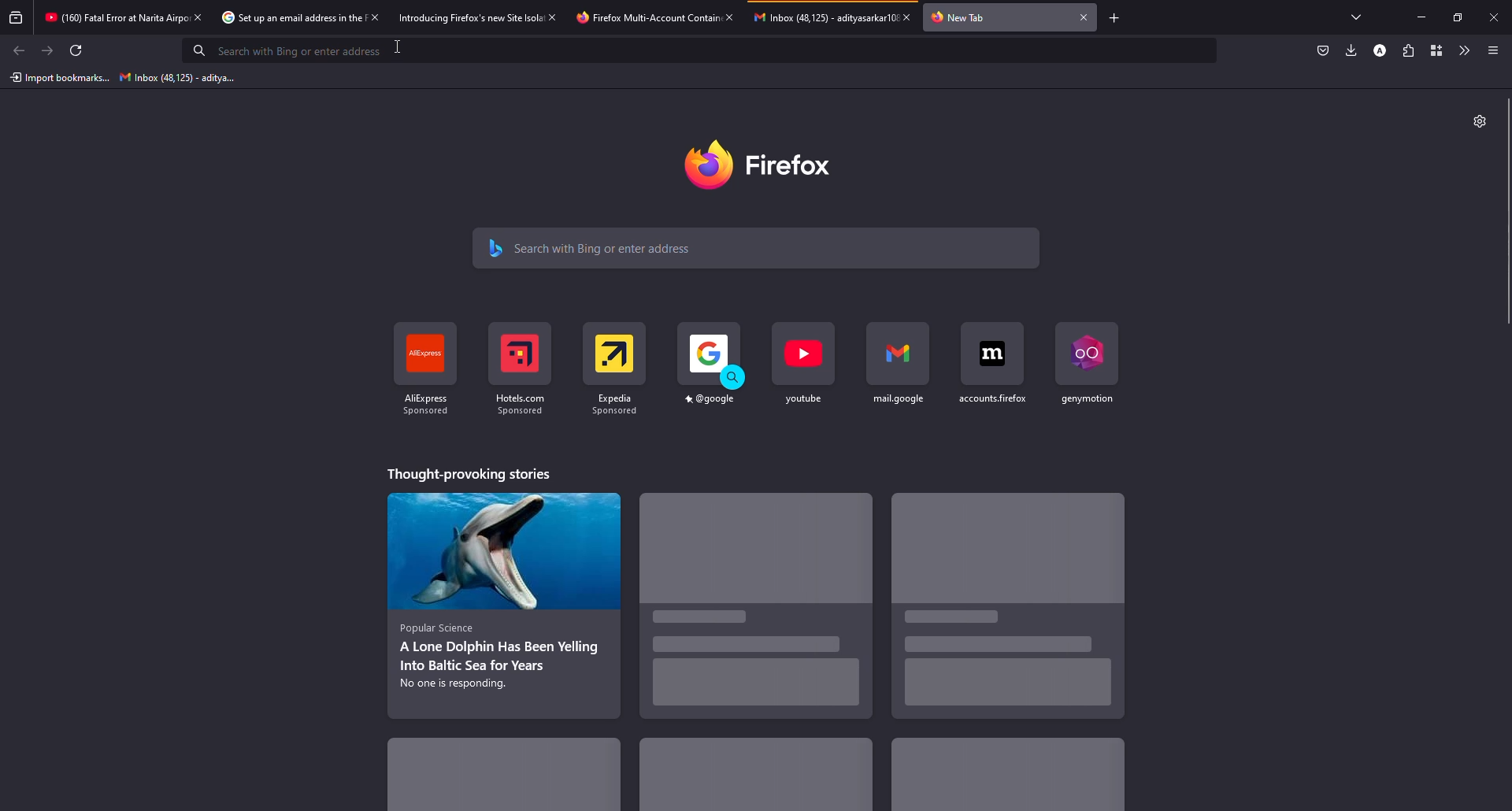  What do you see at coordinates (1509, 212) in the screenshot?
I see `scroll bar` at bounding box center [1509, 212].